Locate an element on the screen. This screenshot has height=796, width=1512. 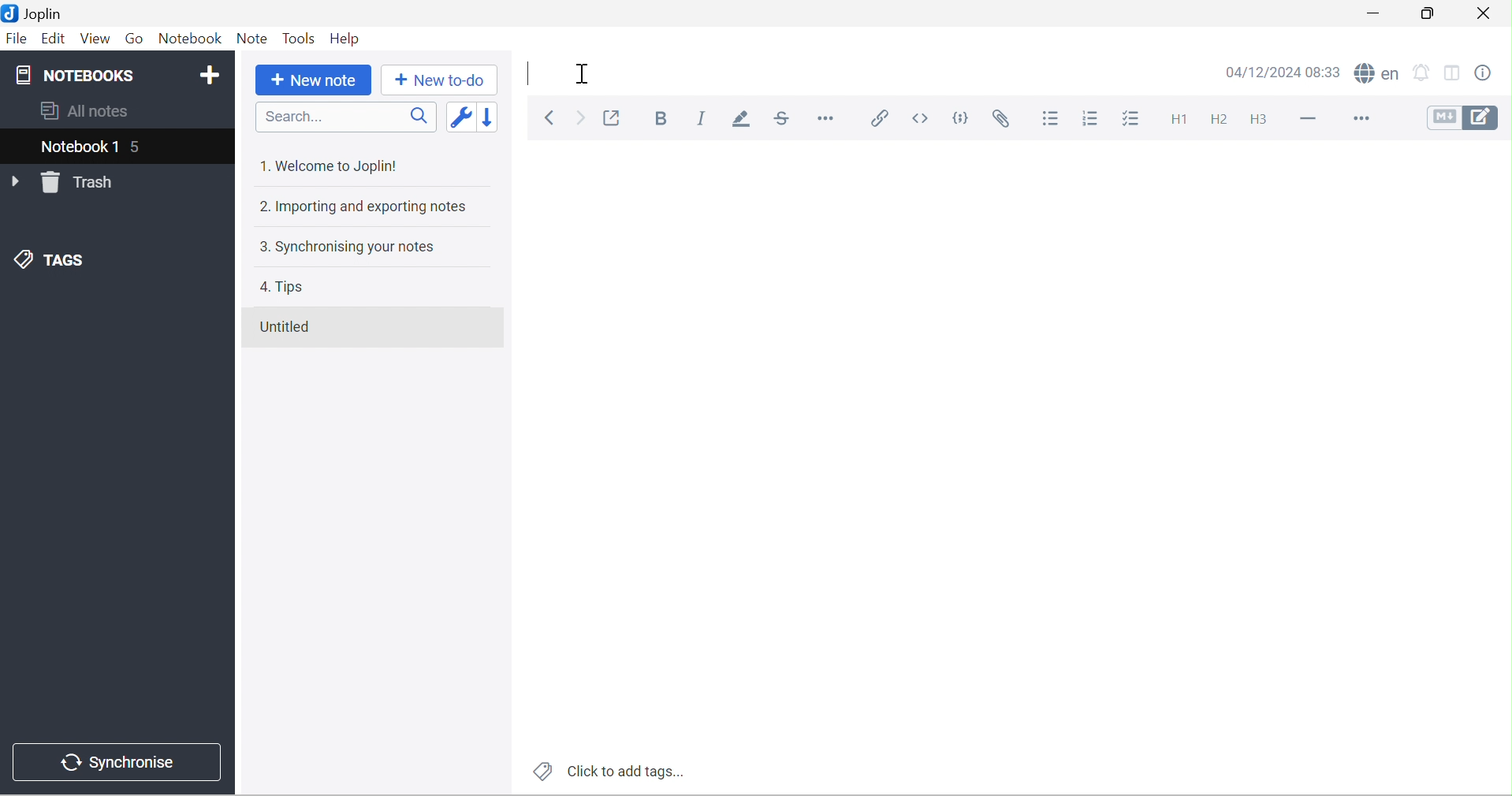
Back is located at coordinates (550, 117).